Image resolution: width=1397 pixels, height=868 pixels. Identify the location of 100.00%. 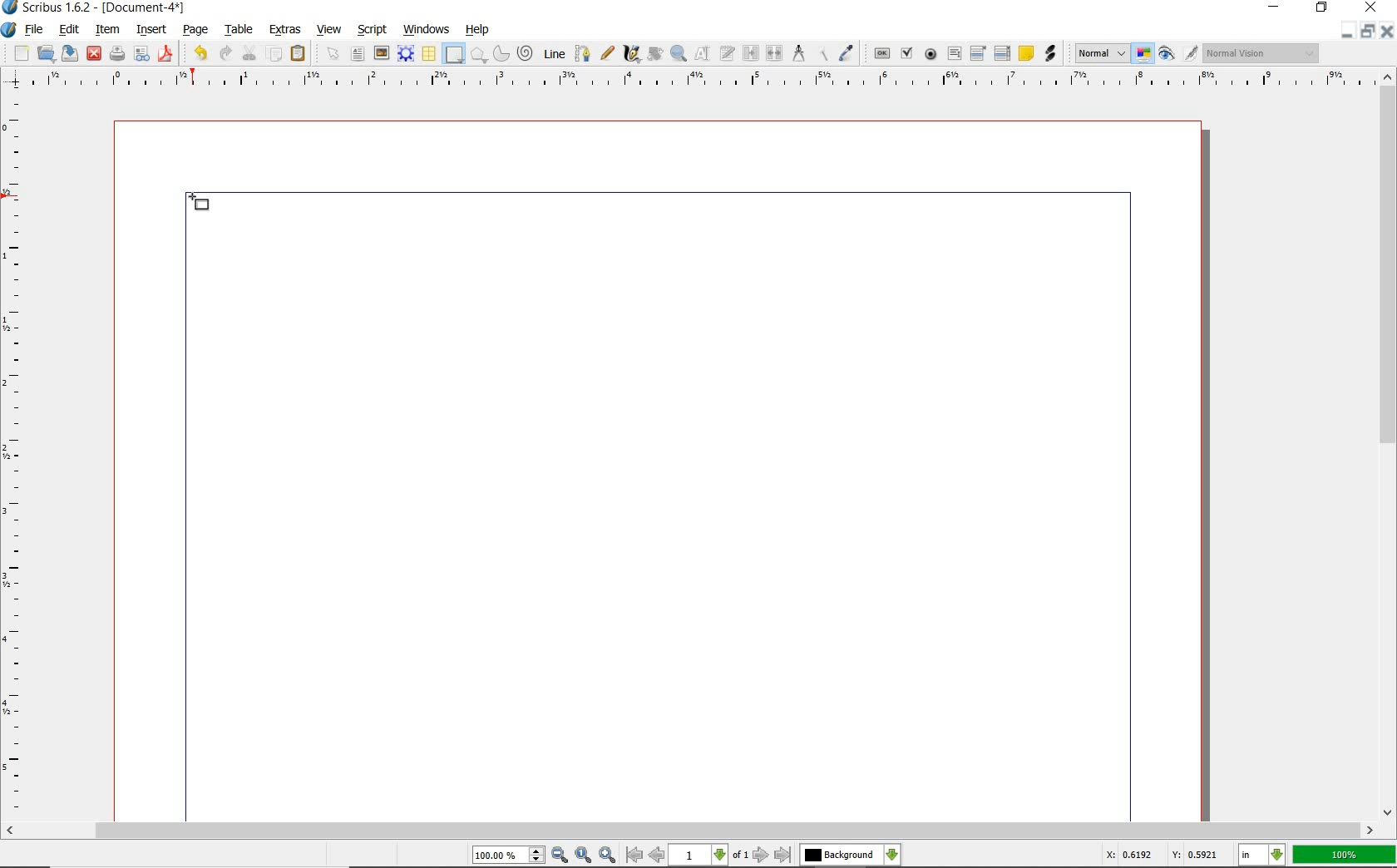
(510, 856).